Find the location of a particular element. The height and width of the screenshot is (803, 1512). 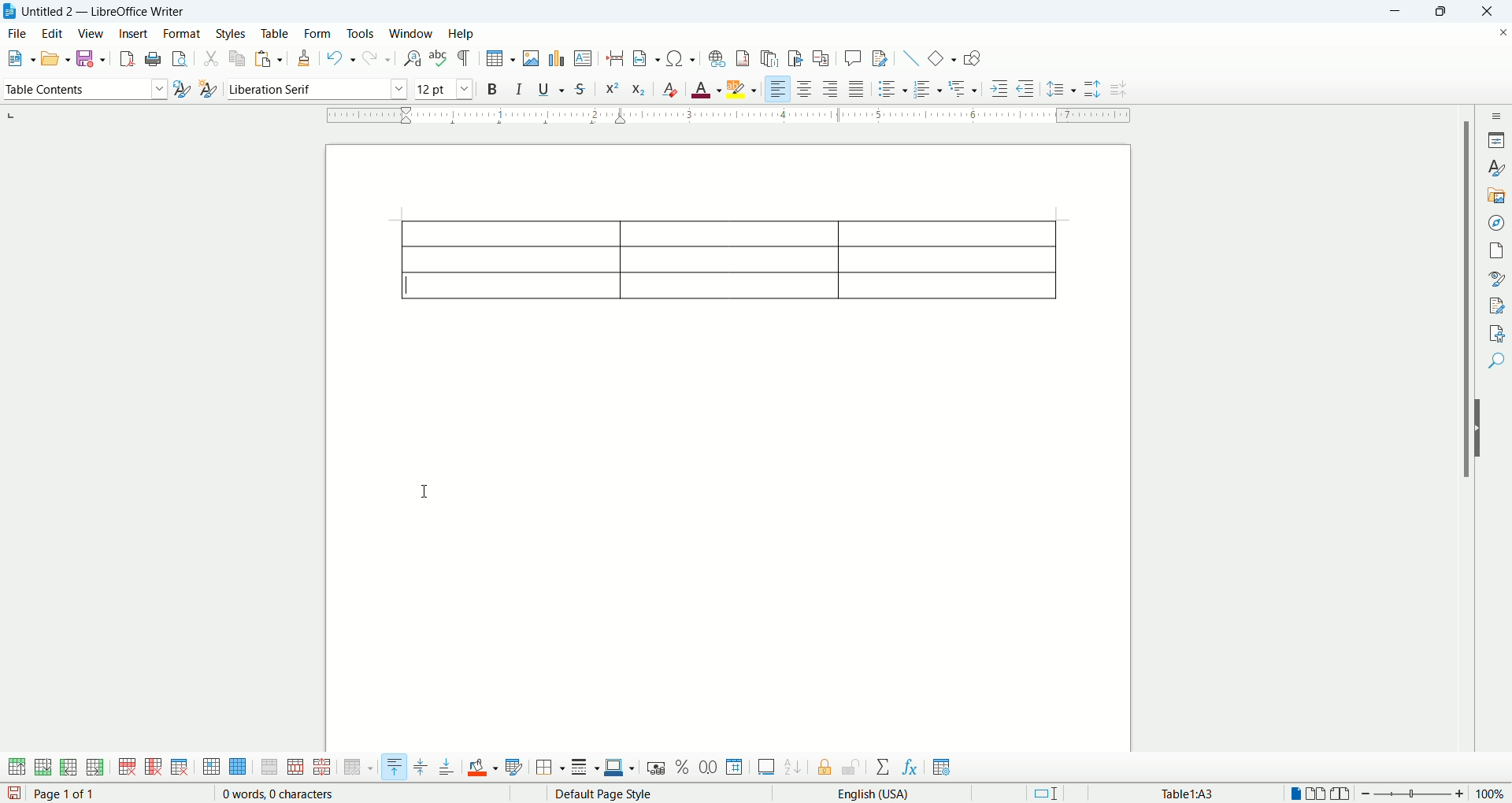

subscript is located at coordinates (638, 89).